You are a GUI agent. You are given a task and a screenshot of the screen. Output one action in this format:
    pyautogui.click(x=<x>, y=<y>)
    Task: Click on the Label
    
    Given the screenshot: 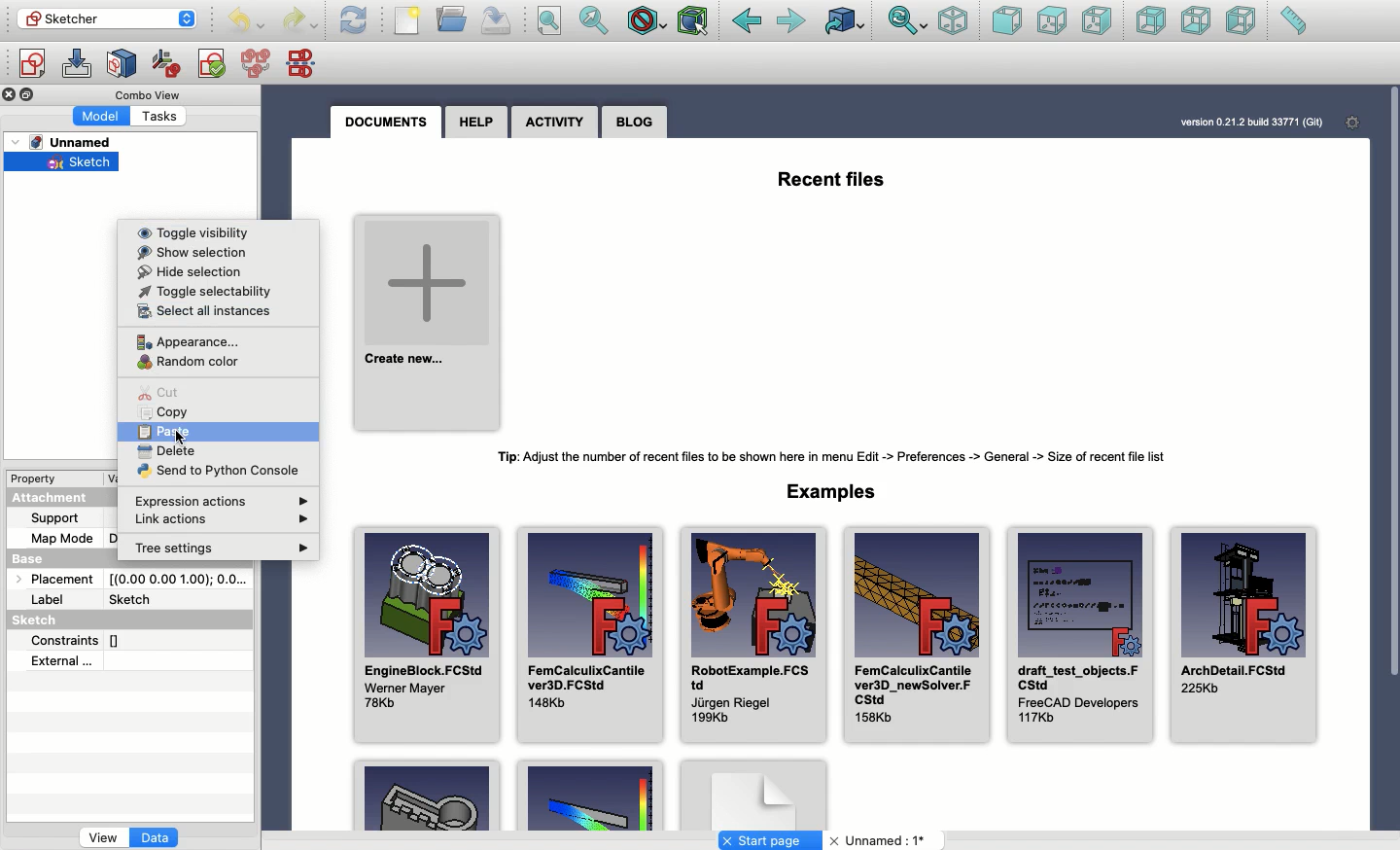 What is the action you would take?
    pyautogui.click(x=51, y=600)
    